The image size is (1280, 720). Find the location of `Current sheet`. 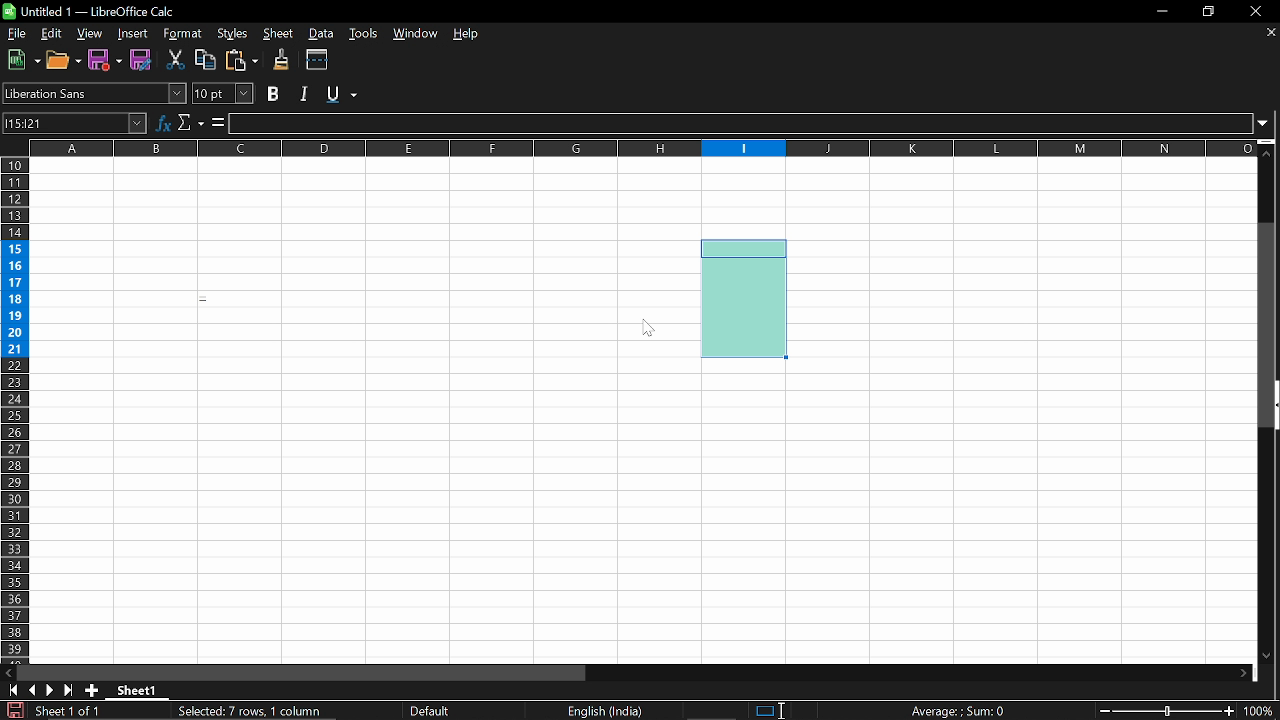

Current sheet is located at coordinates (136, 690).